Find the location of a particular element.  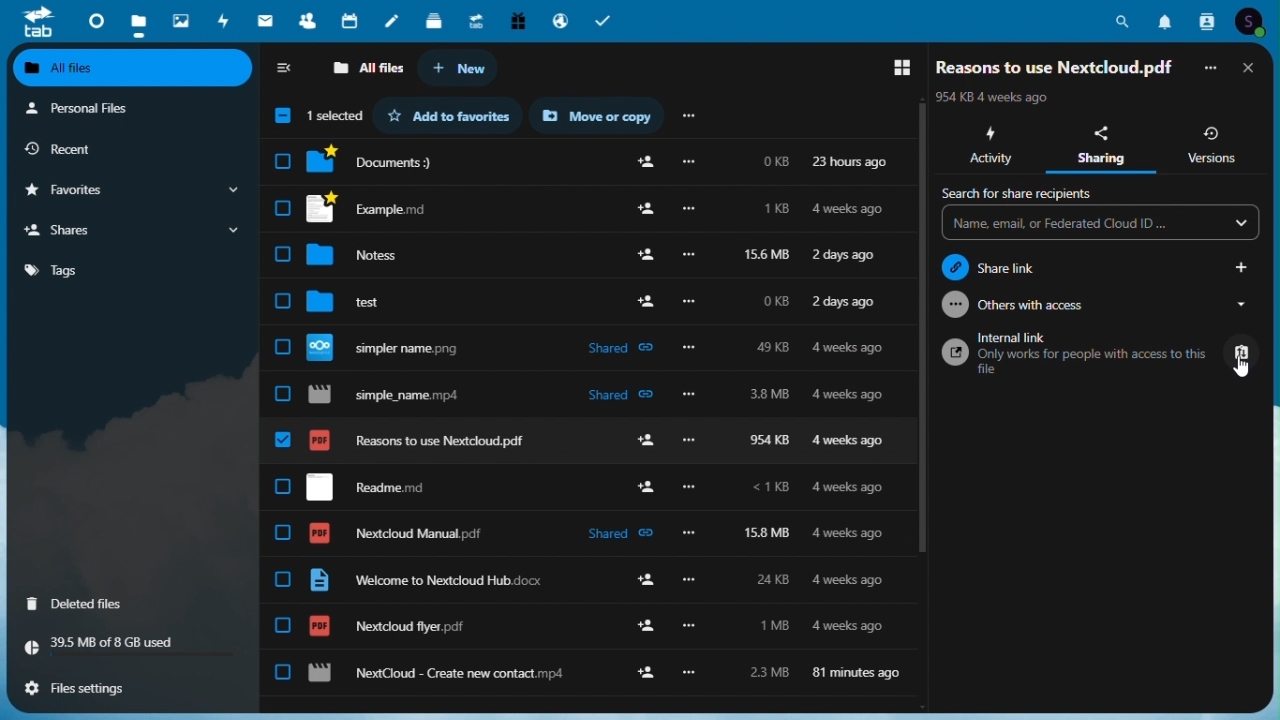

nextcloud flyer.pdg is located at coordinates (387, 626).